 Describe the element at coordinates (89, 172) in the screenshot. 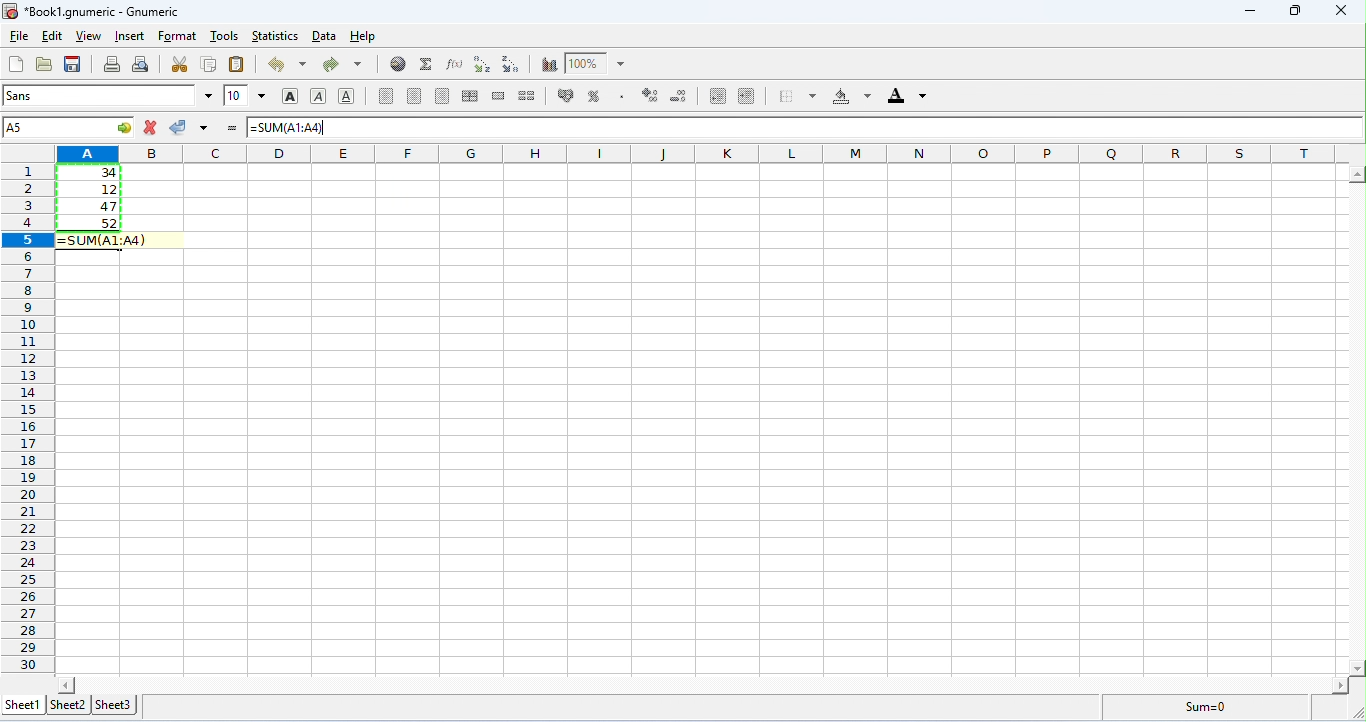

I see `34` at that location.